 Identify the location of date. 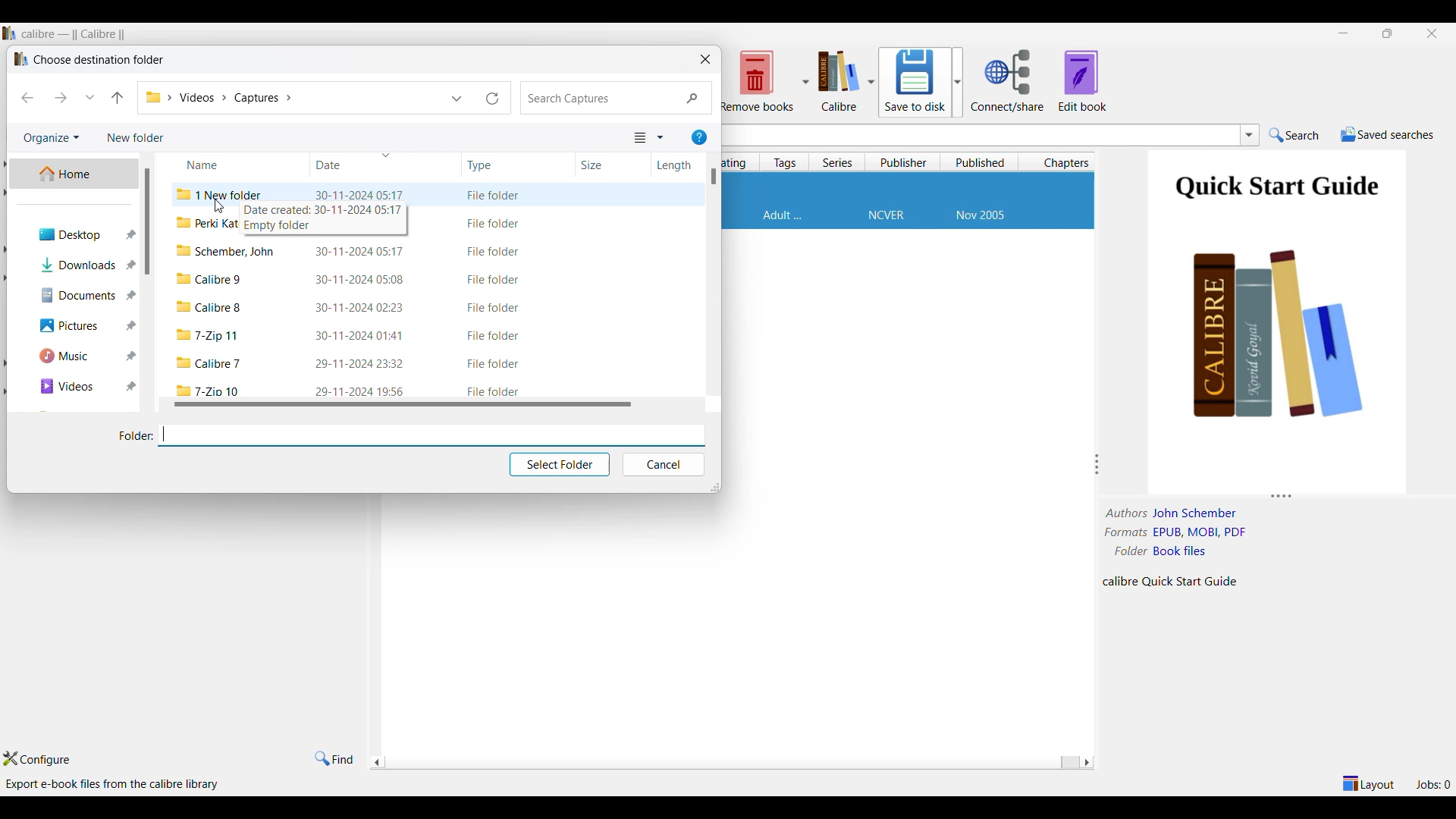
(361, 335).